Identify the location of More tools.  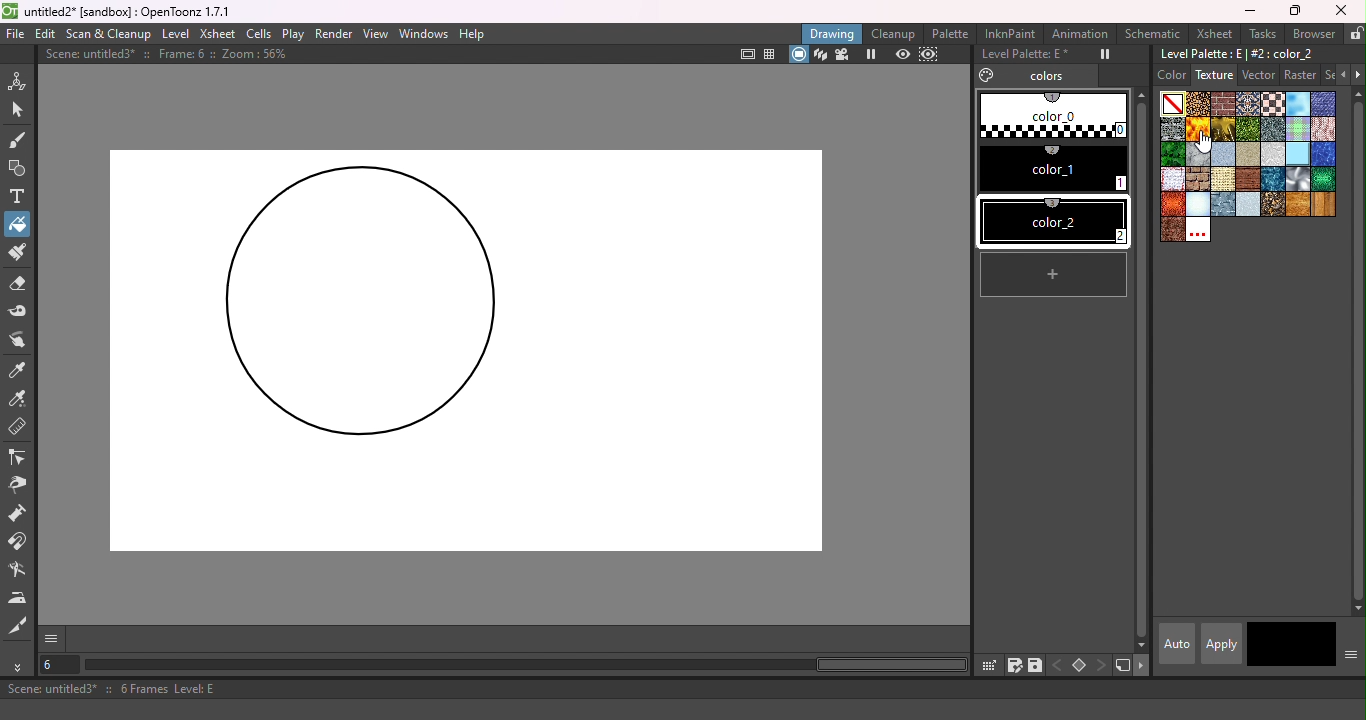
(20, 667).